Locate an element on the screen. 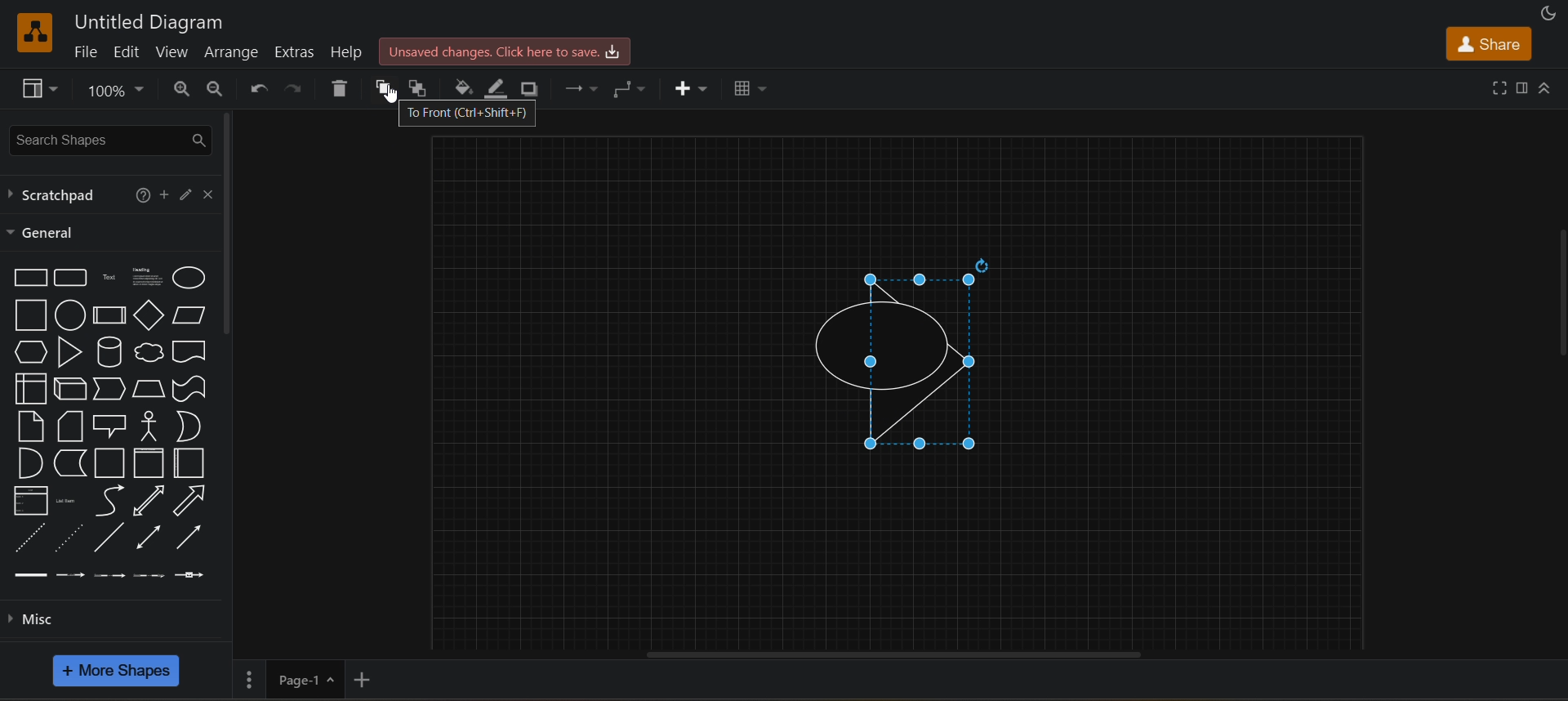 This screenshot has width=1568, height=701. more shapes is located at coordinates (118, 671).